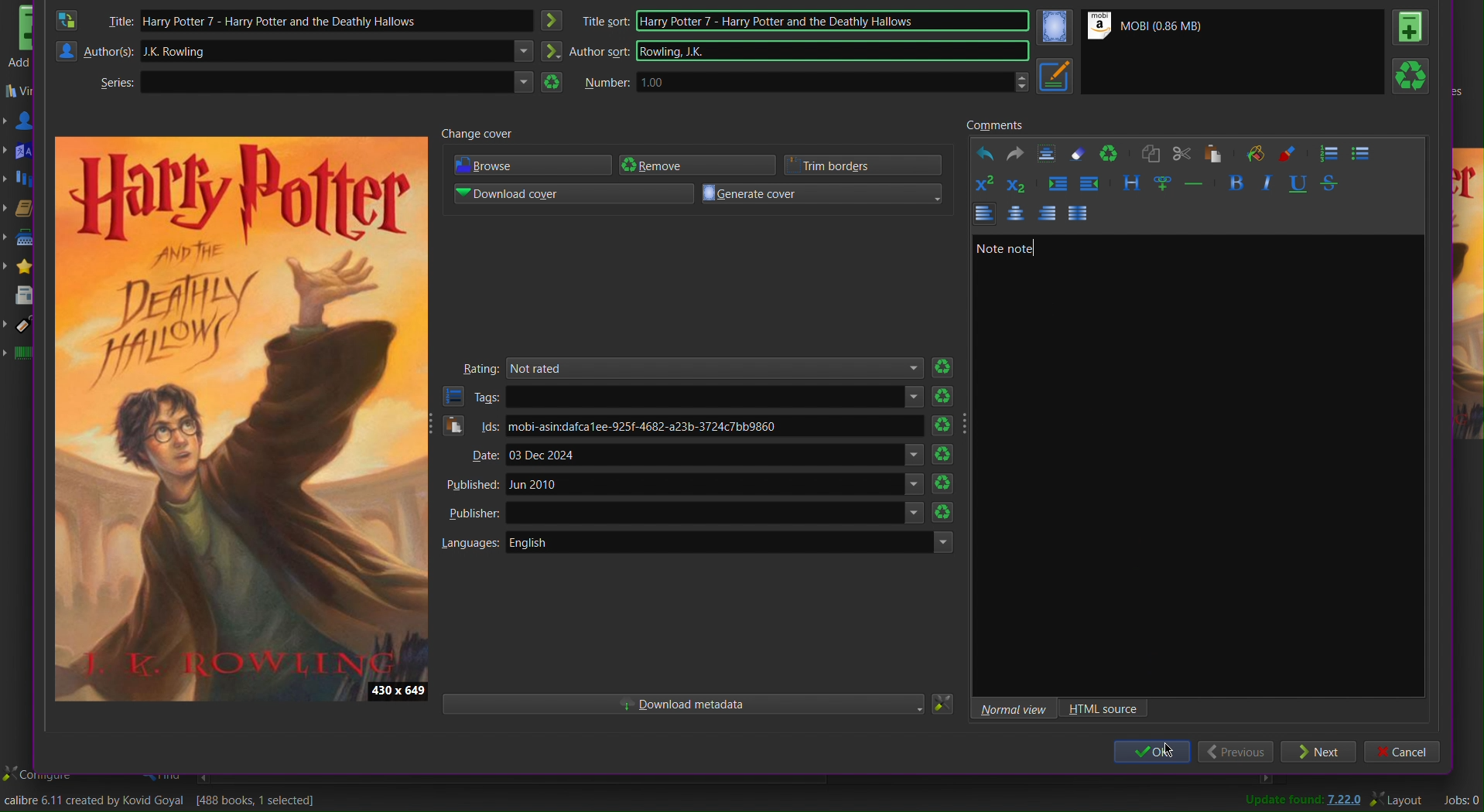 The height and width of the screenshot is (812, 1484). What do you see at coordinates (1406, 752) in the screenshot?
I see `Cancel` at bounding box center [1406, 752].